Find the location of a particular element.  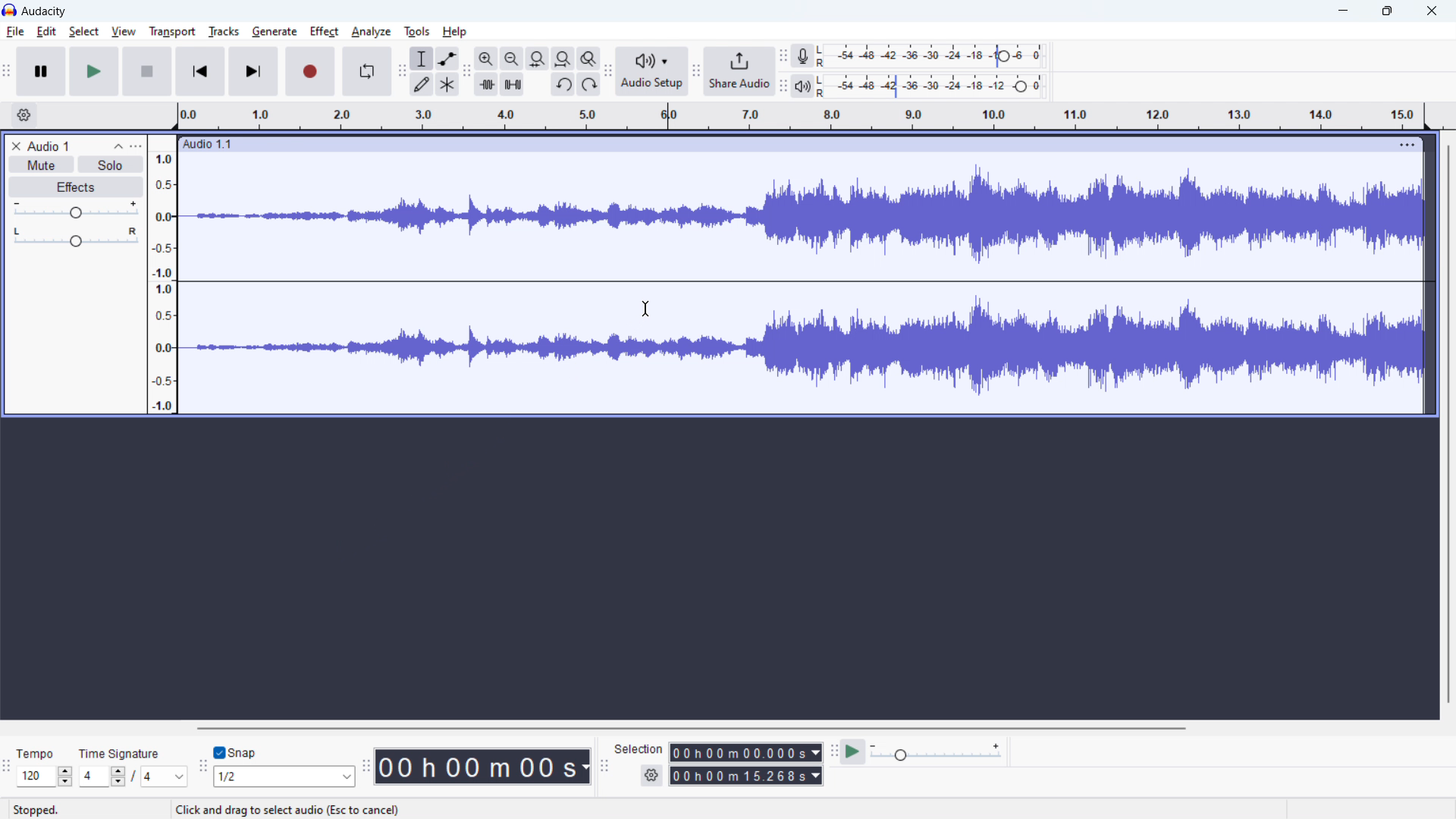

effect is located at coordinates (325, 32).